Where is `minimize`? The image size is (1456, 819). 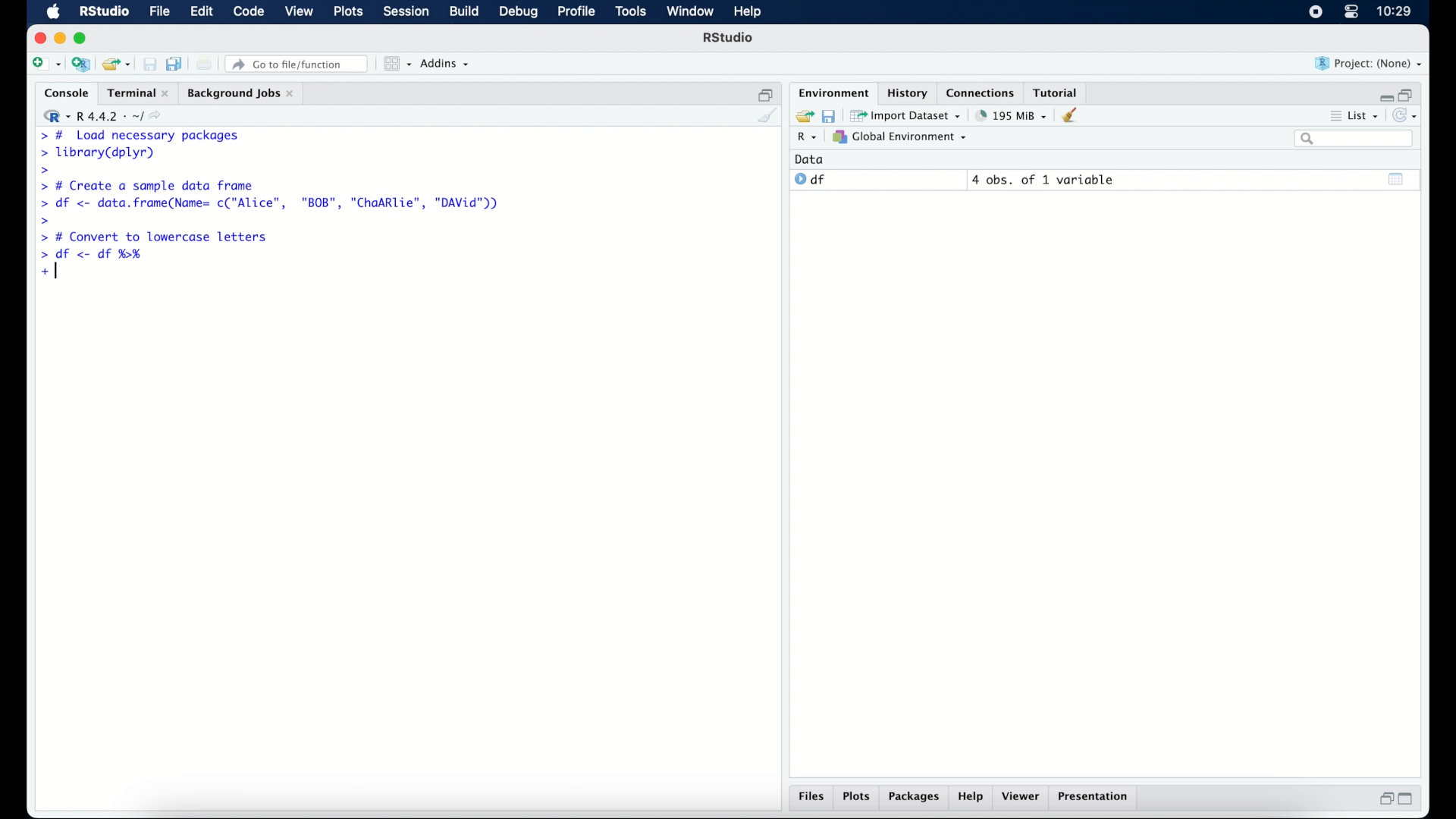 minimize is located at coordinates (60, 38).